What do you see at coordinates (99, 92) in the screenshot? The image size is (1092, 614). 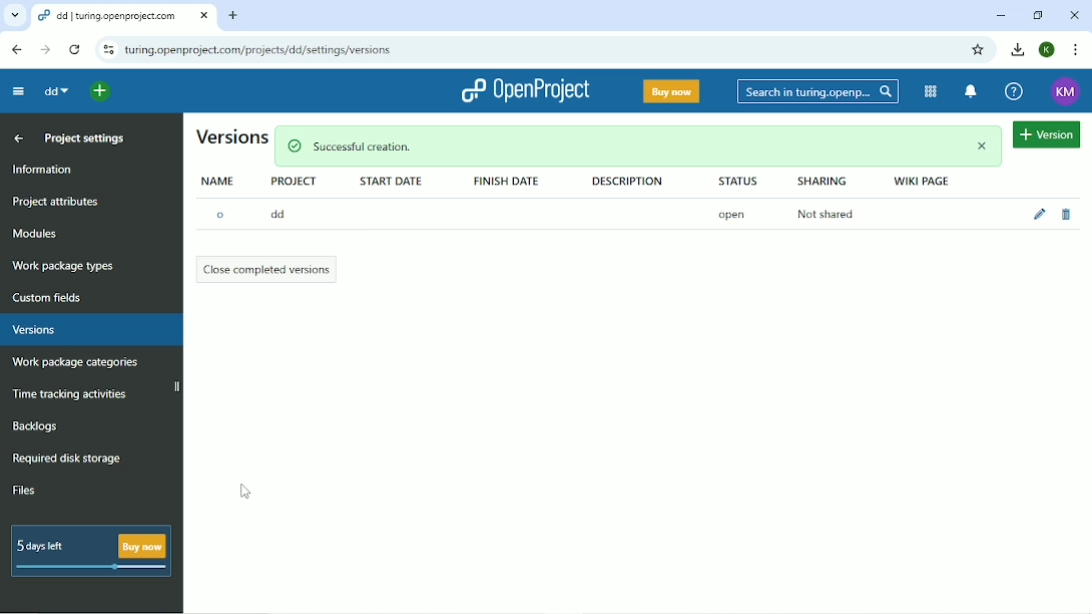 I see `Select a project` at bounding box center [99, 92].